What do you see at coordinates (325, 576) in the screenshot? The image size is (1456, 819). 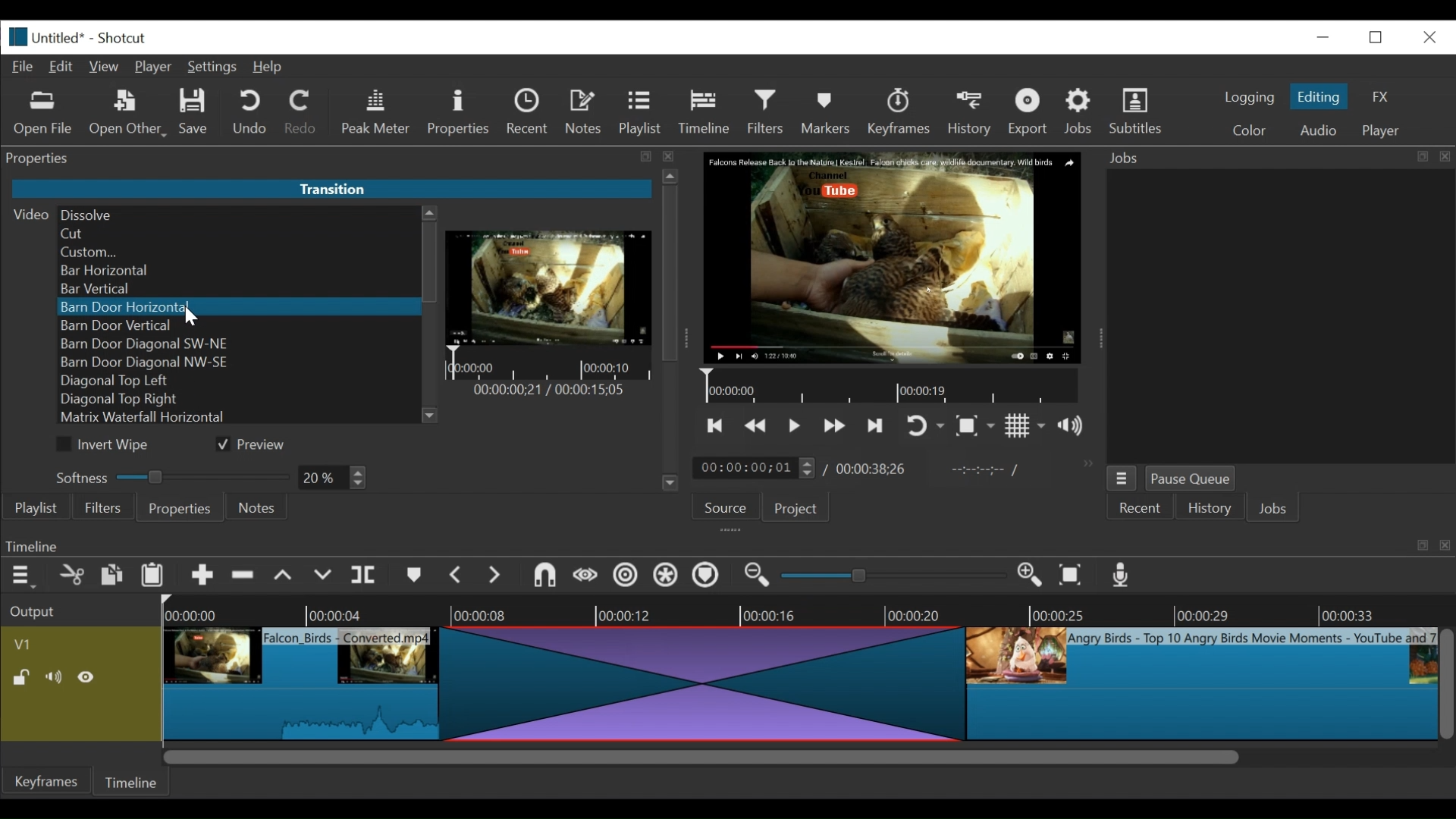 I see `overwrite` at bounding box center [325, 576].